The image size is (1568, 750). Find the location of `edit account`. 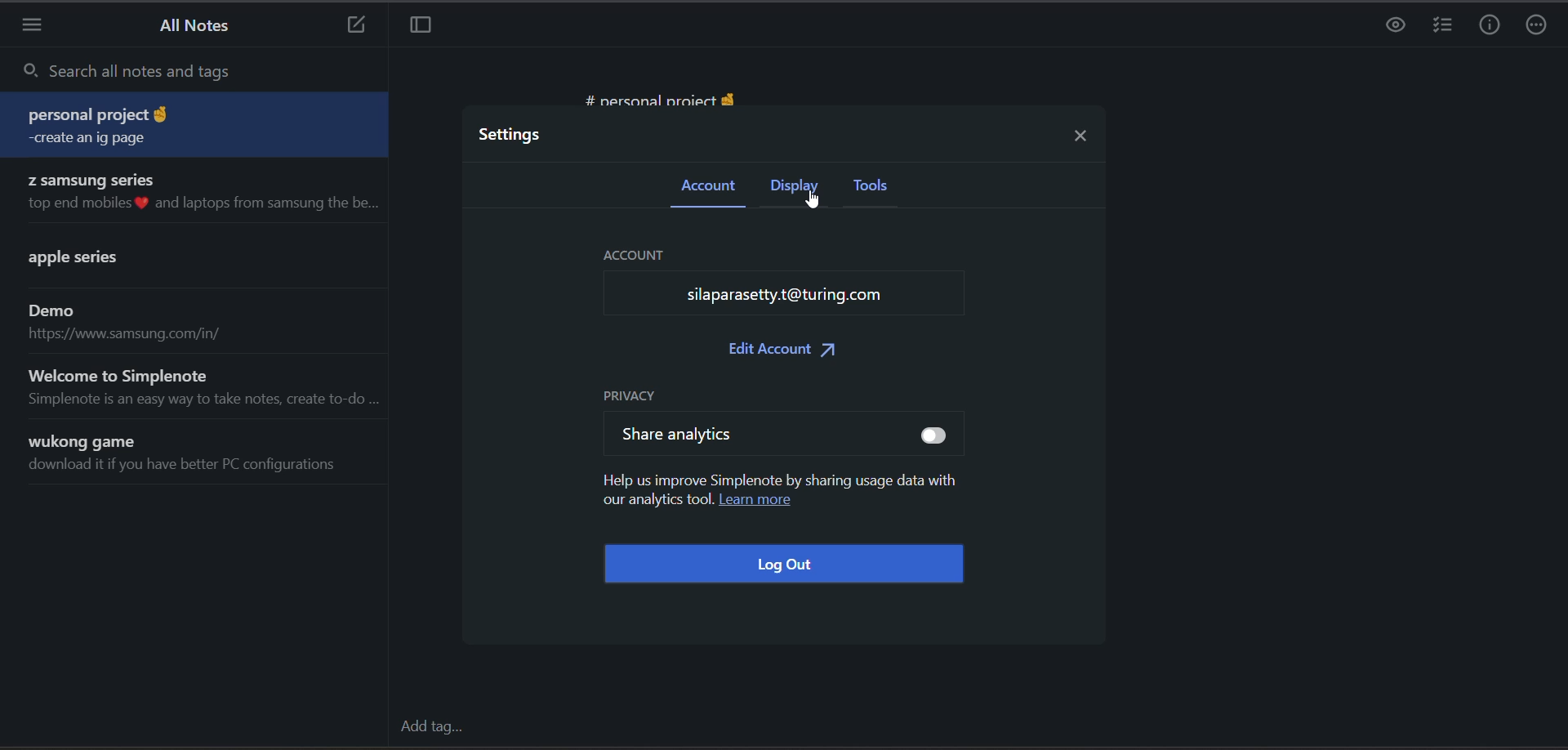

edit account is located at coordinates (780, 351).